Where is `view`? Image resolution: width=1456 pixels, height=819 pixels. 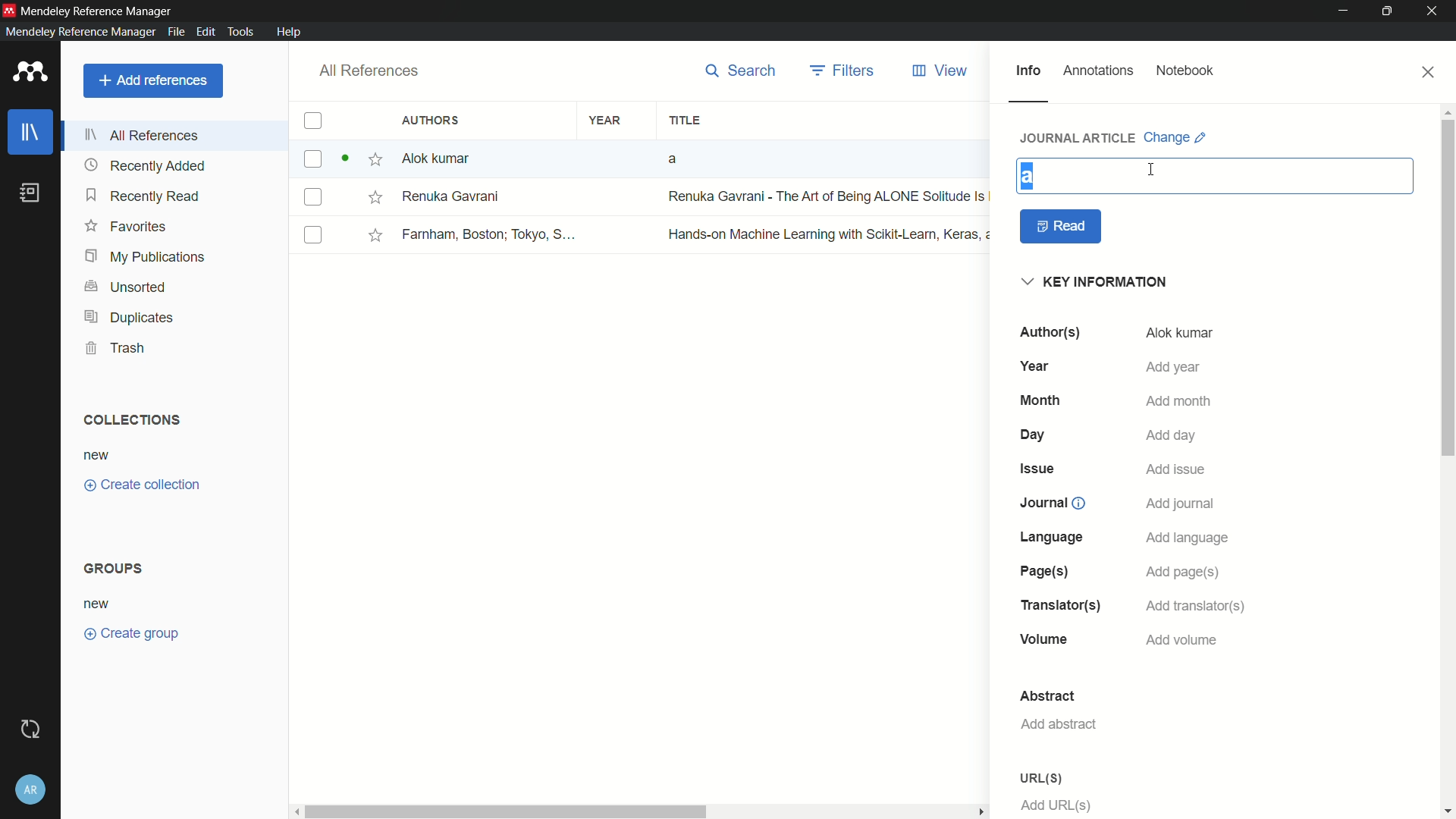 view is located at coordinates (941, 71).